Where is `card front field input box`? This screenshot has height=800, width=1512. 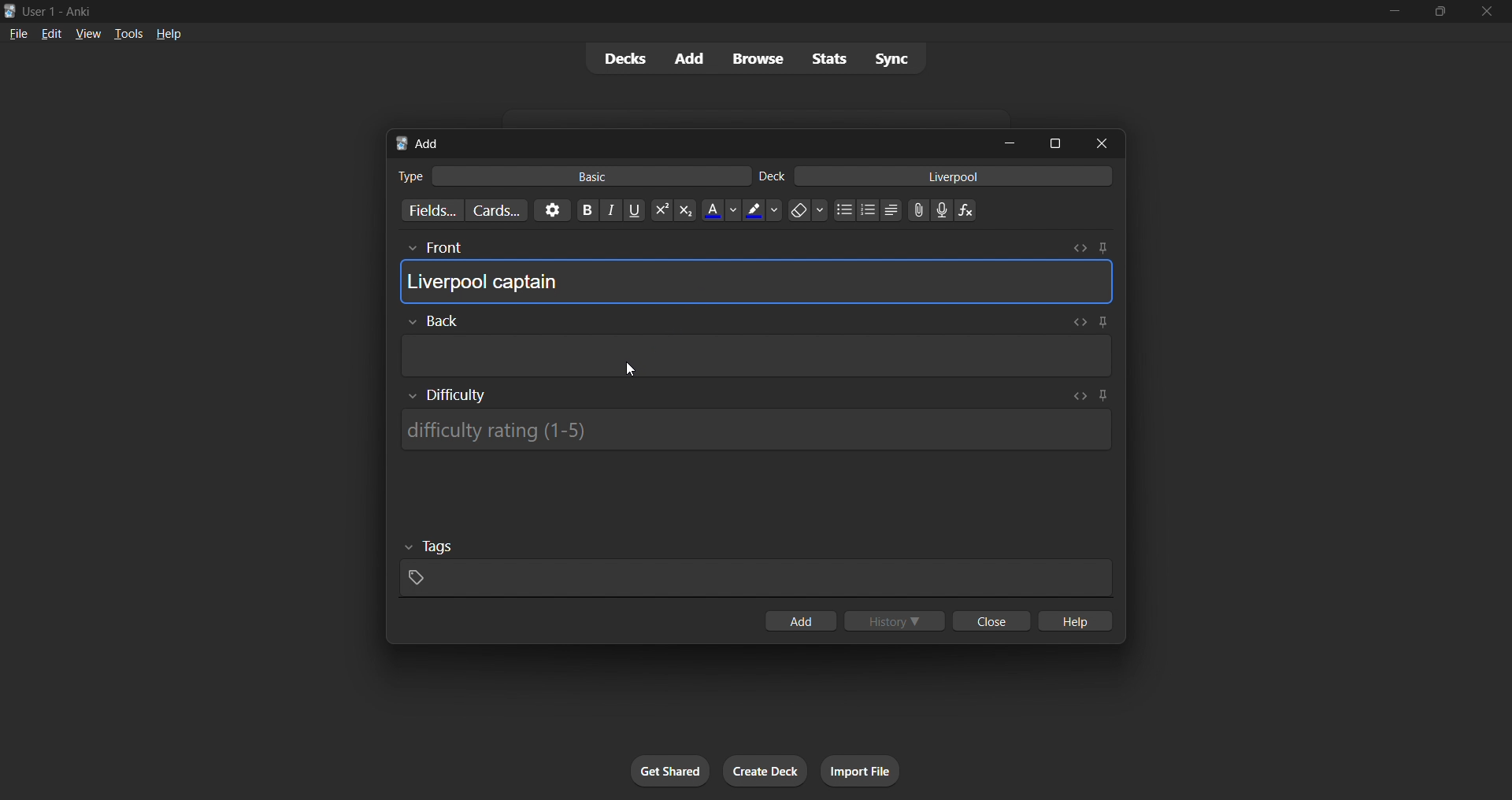
card front field input box is located at coordinates (756, 281).